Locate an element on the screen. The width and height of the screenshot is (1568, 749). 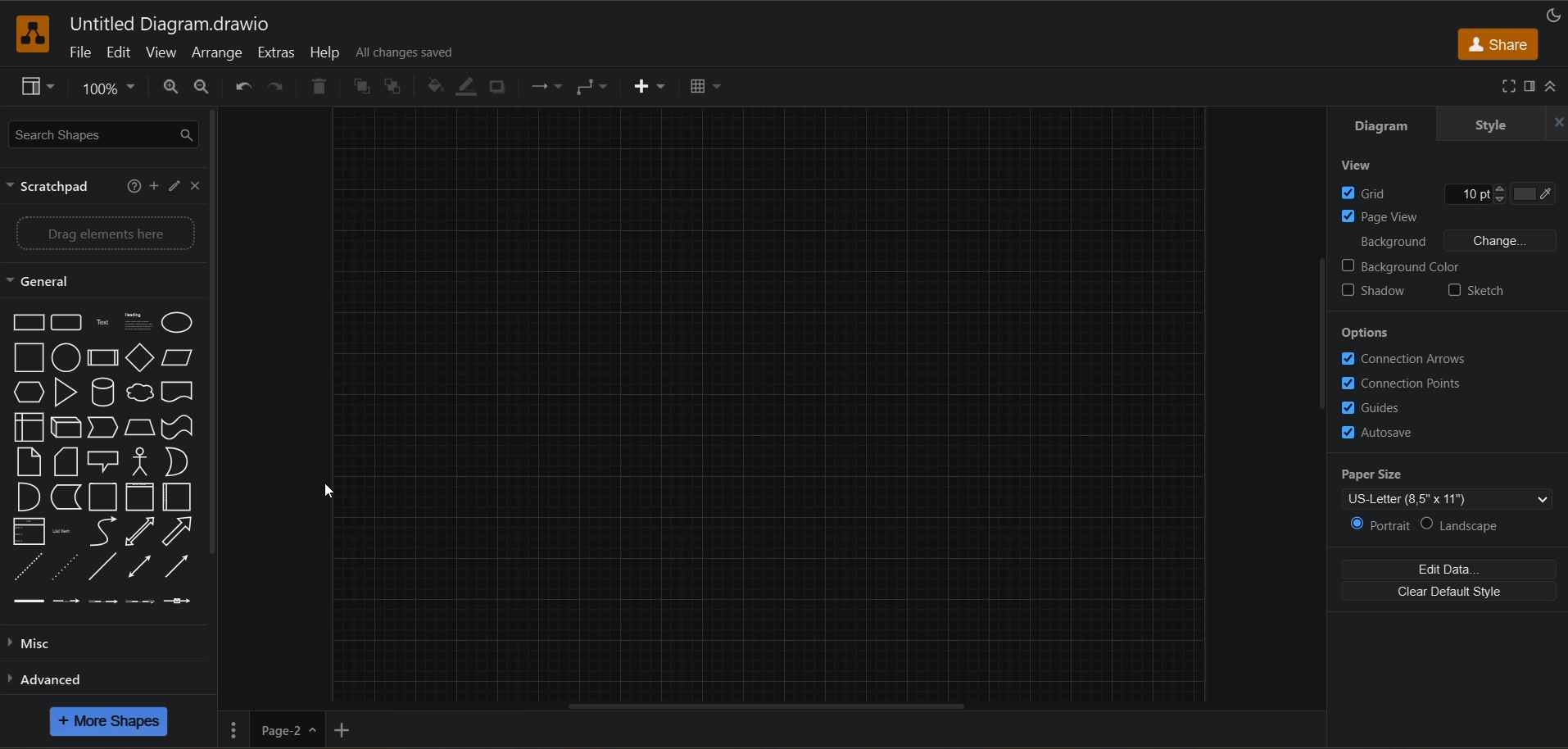
paper size is located at coordinates (1452, 487).